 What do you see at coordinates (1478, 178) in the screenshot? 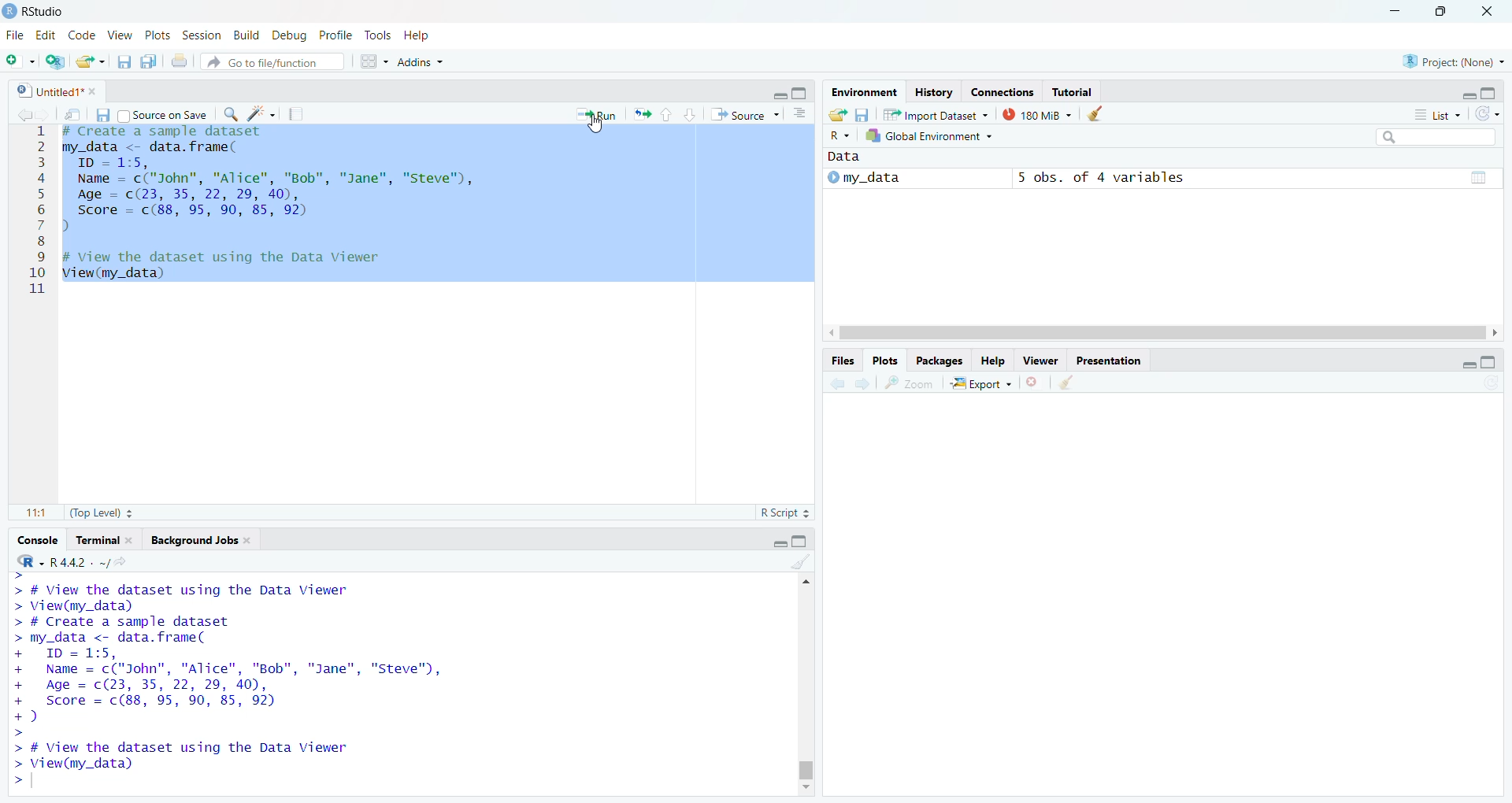
I see `Pages` at bounding box center [1478, 178].